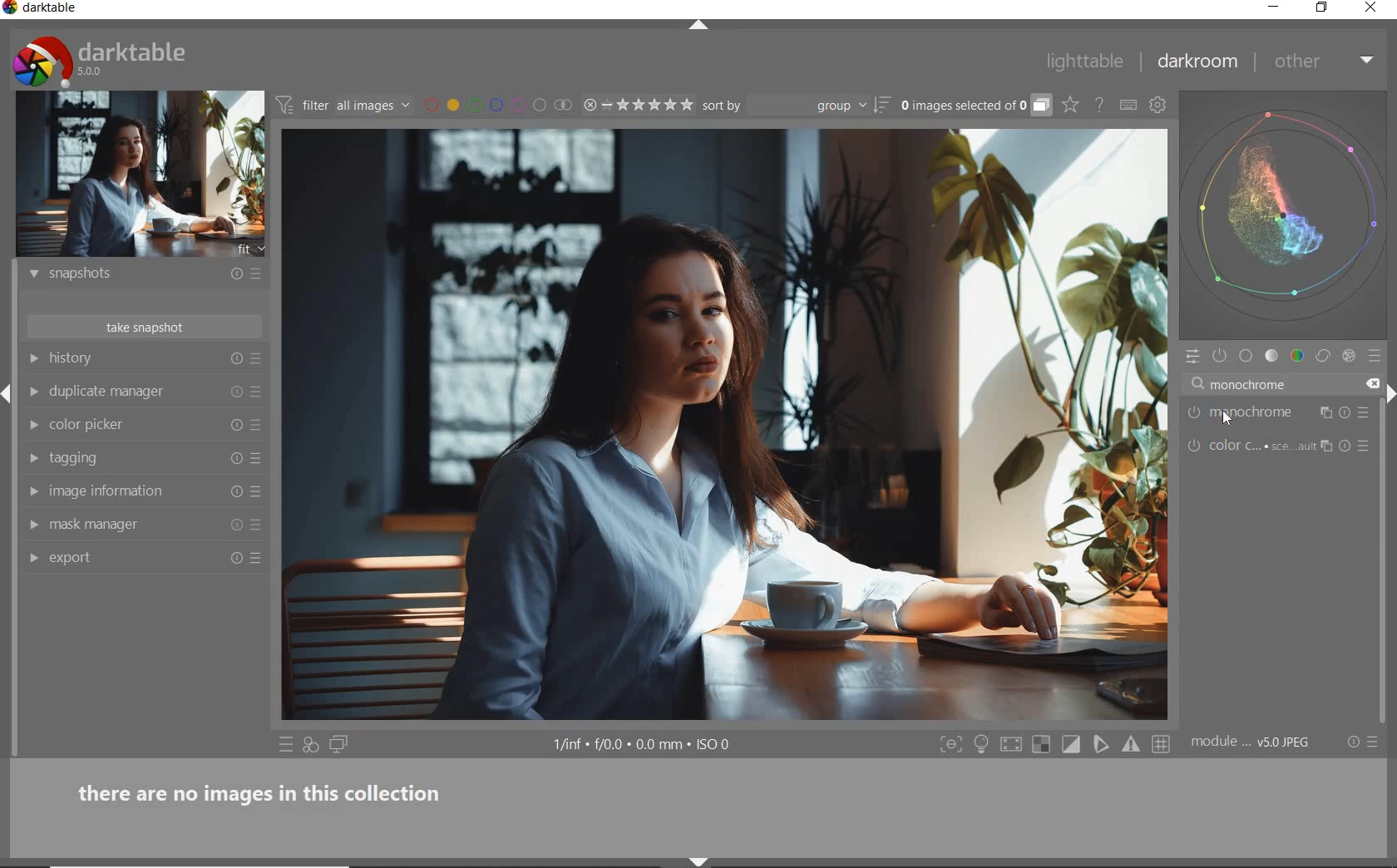 The image size is (1397, 868). Describe the element at coordinates (1099, 104) in the screenshot. I see `open online help` at that location.